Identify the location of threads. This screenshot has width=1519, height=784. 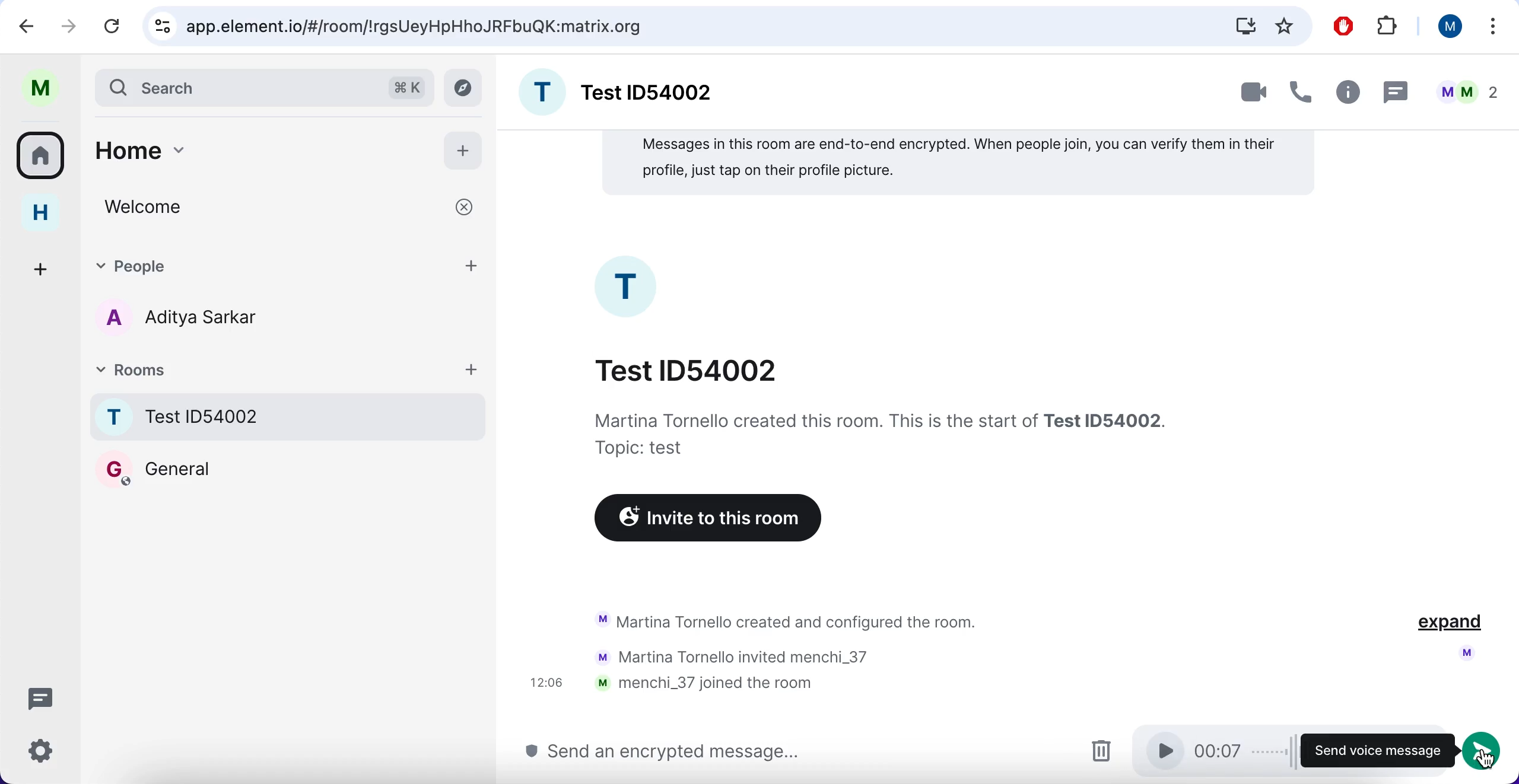
(39, 697).